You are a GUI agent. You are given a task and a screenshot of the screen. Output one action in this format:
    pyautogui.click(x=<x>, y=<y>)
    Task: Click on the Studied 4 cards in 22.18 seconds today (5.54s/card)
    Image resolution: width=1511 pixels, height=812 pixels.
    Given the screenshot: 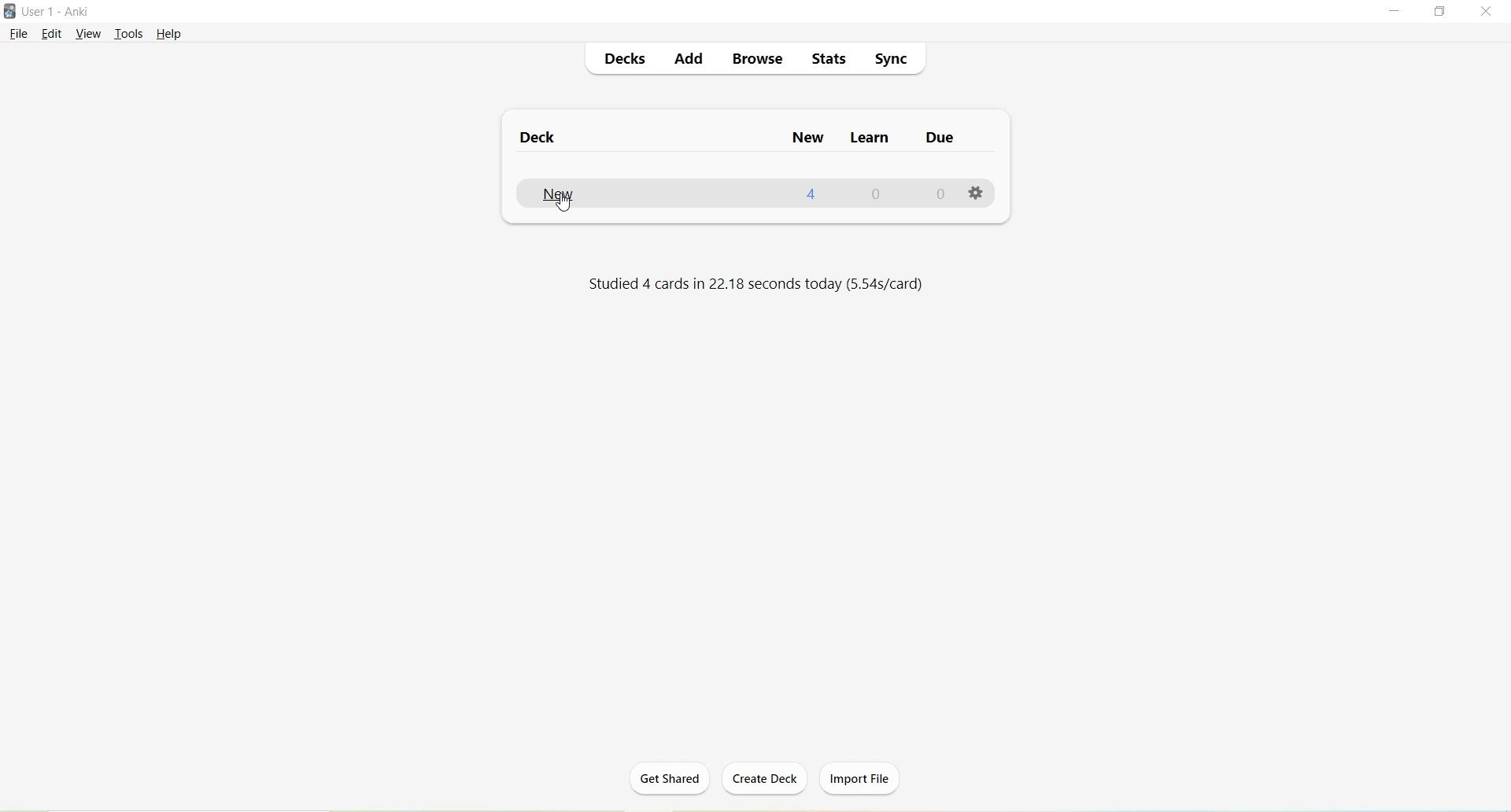 What is the action you would take?
    pyautogui.click(x=759, y=284)
    